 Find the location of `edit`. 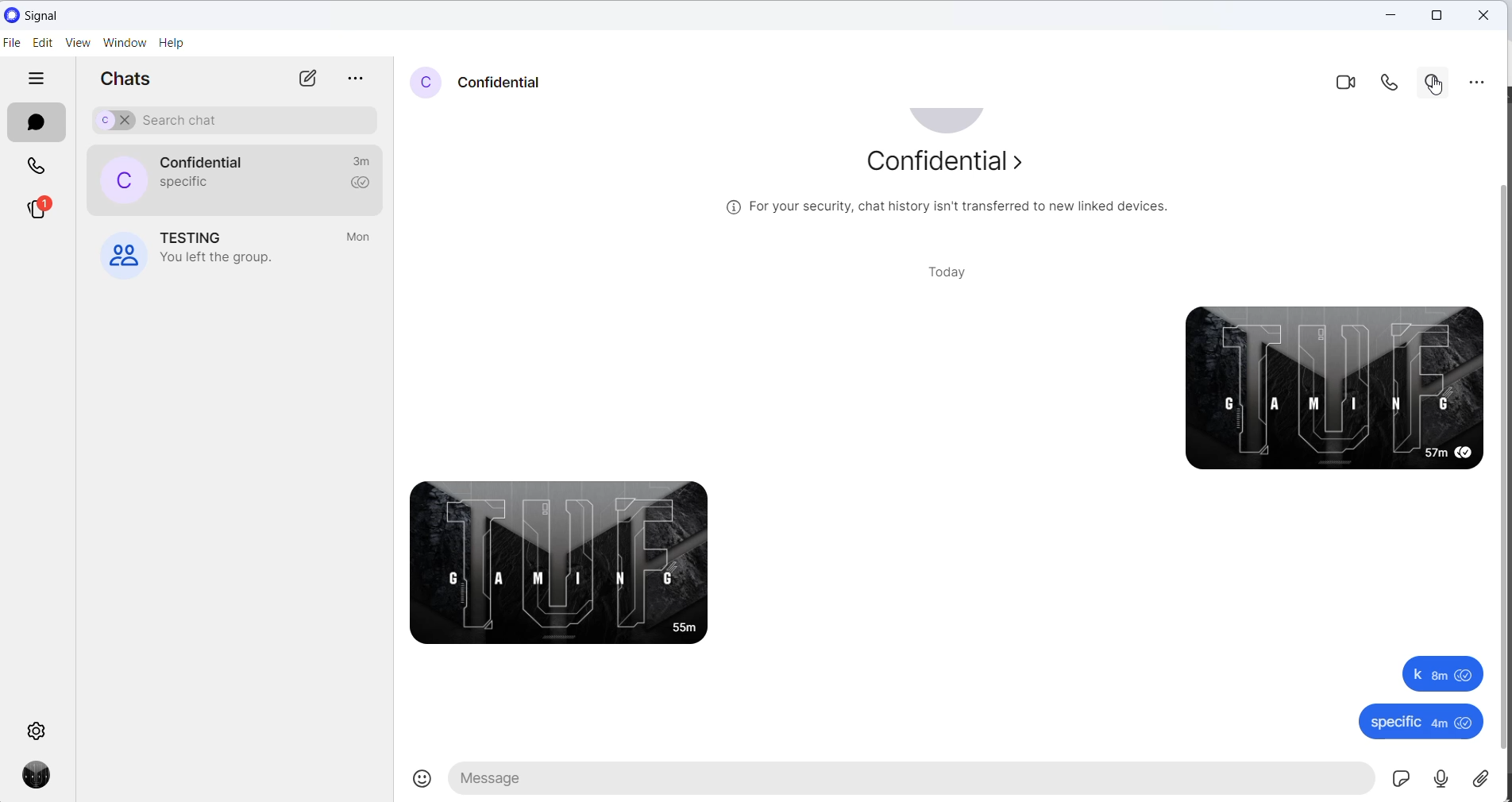

edit is located at coordinates (43, 44).